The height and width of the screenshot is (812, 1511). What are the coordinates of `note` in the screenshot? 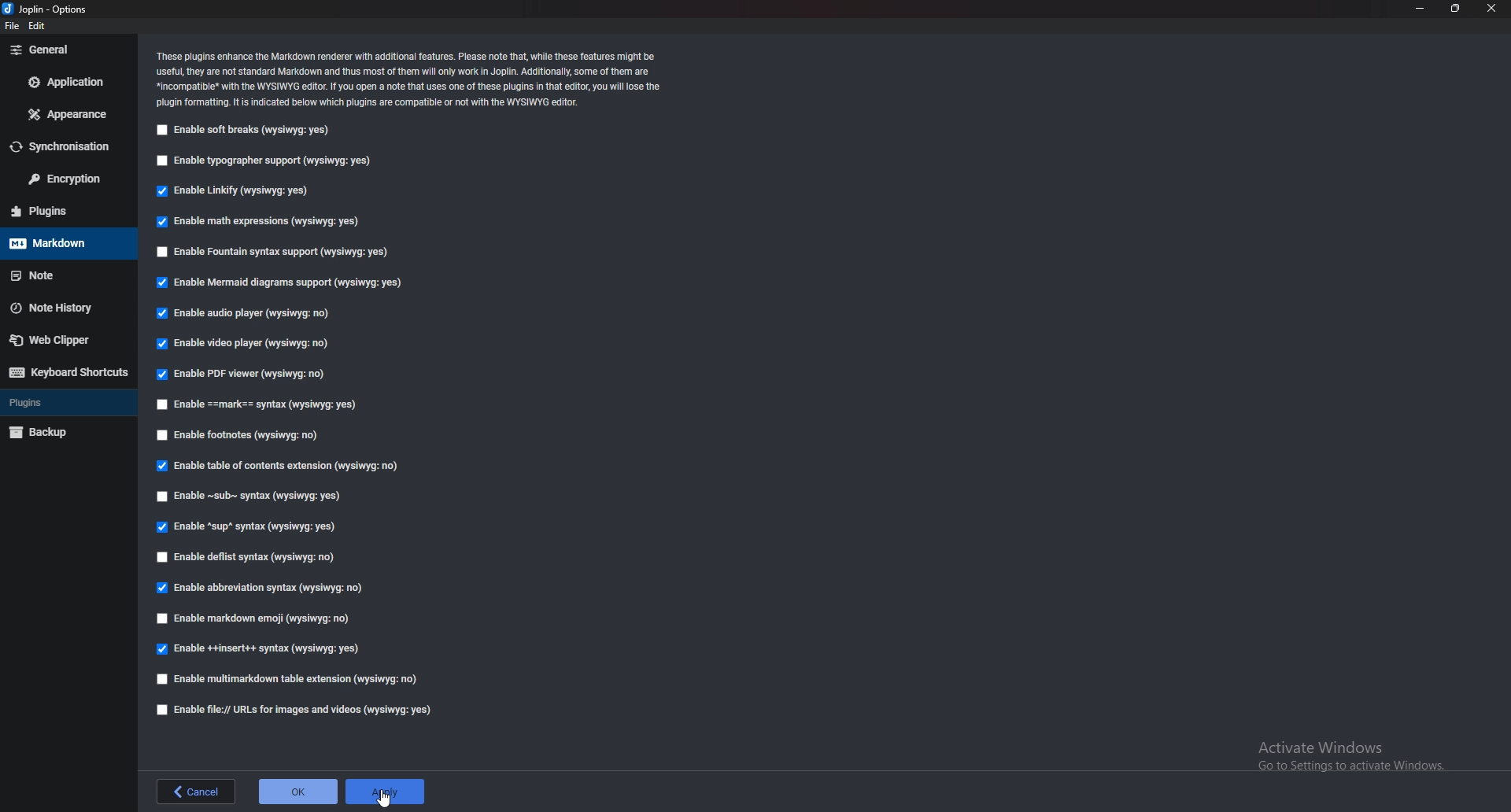 It's located at (68, 273).